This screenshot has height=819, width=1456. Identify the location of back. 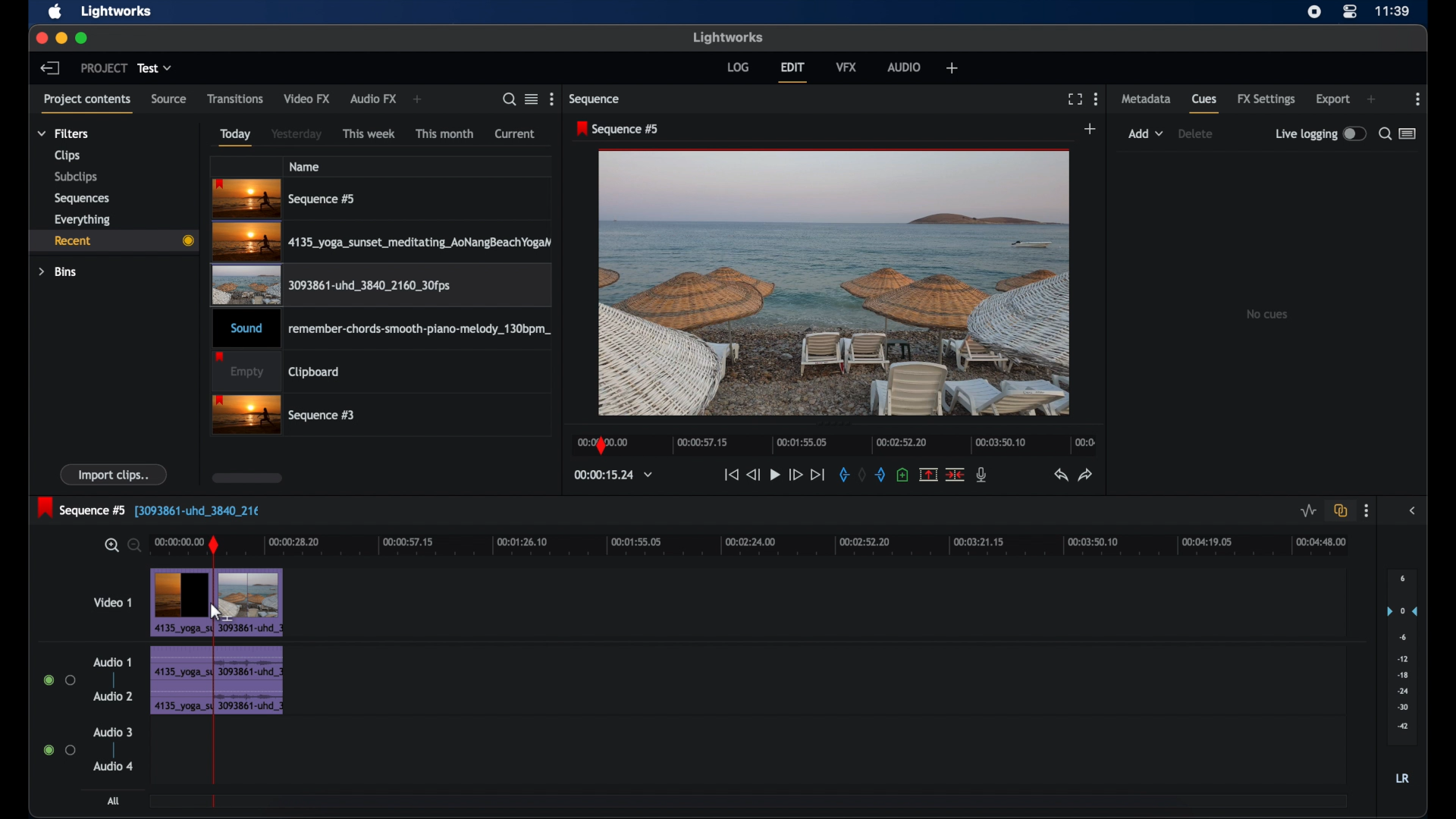
(51, 67).